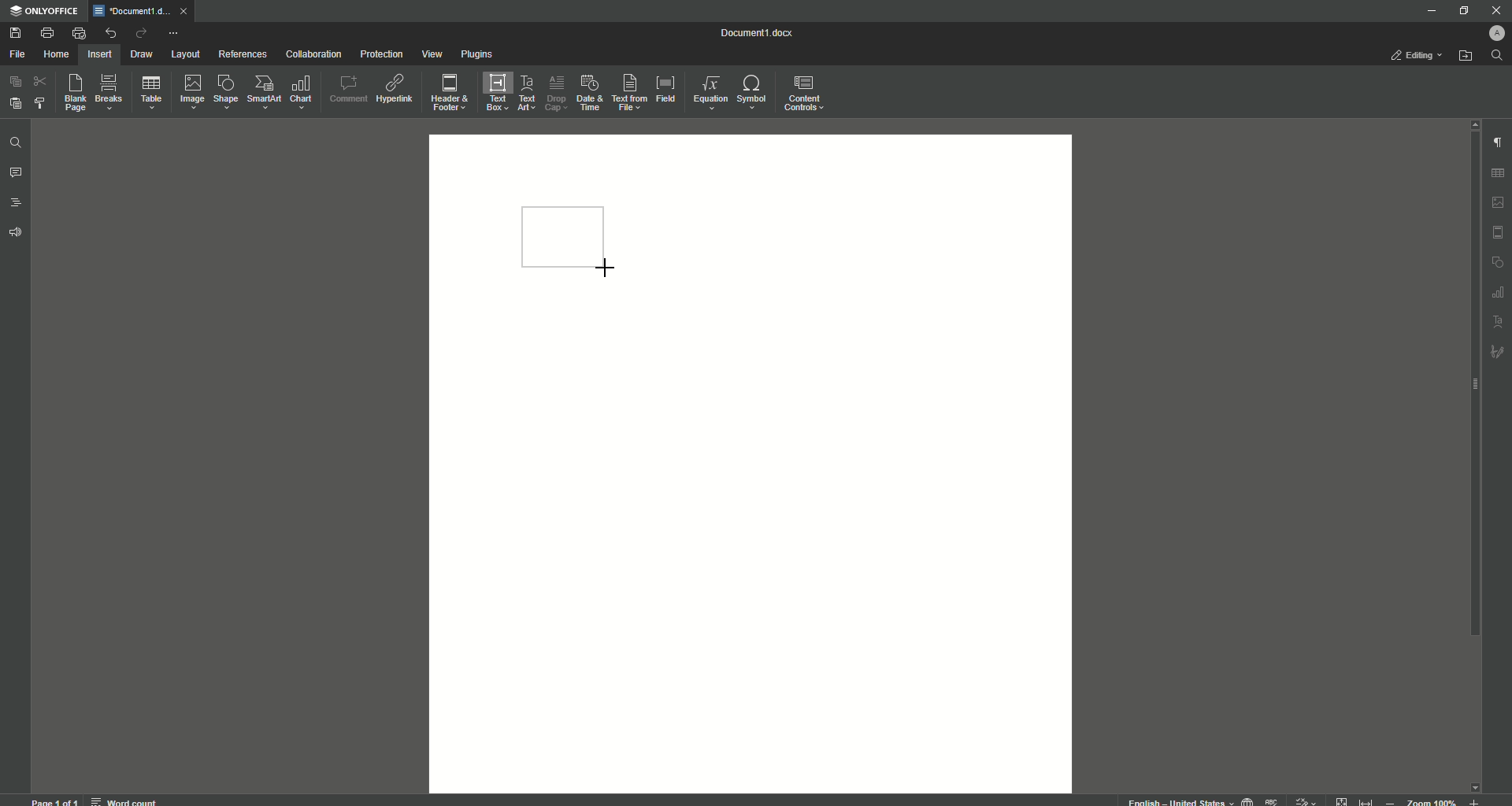 This screenshot has height=806, width=1512. I want to click on scroll down, so click(1474, 783).